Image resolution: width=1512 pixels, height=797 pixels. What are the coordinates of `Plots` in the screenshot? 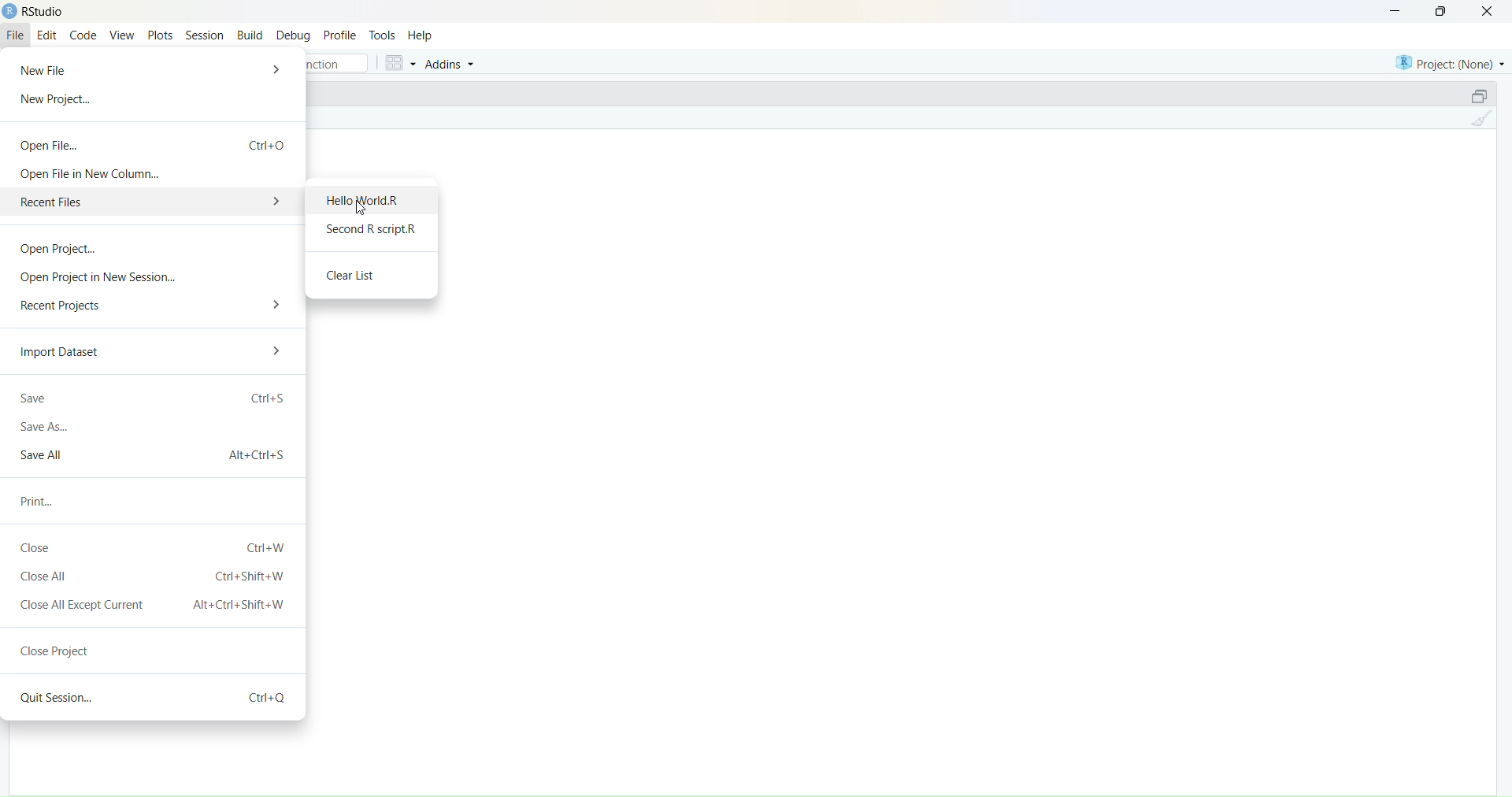 It's located at (159, 35).